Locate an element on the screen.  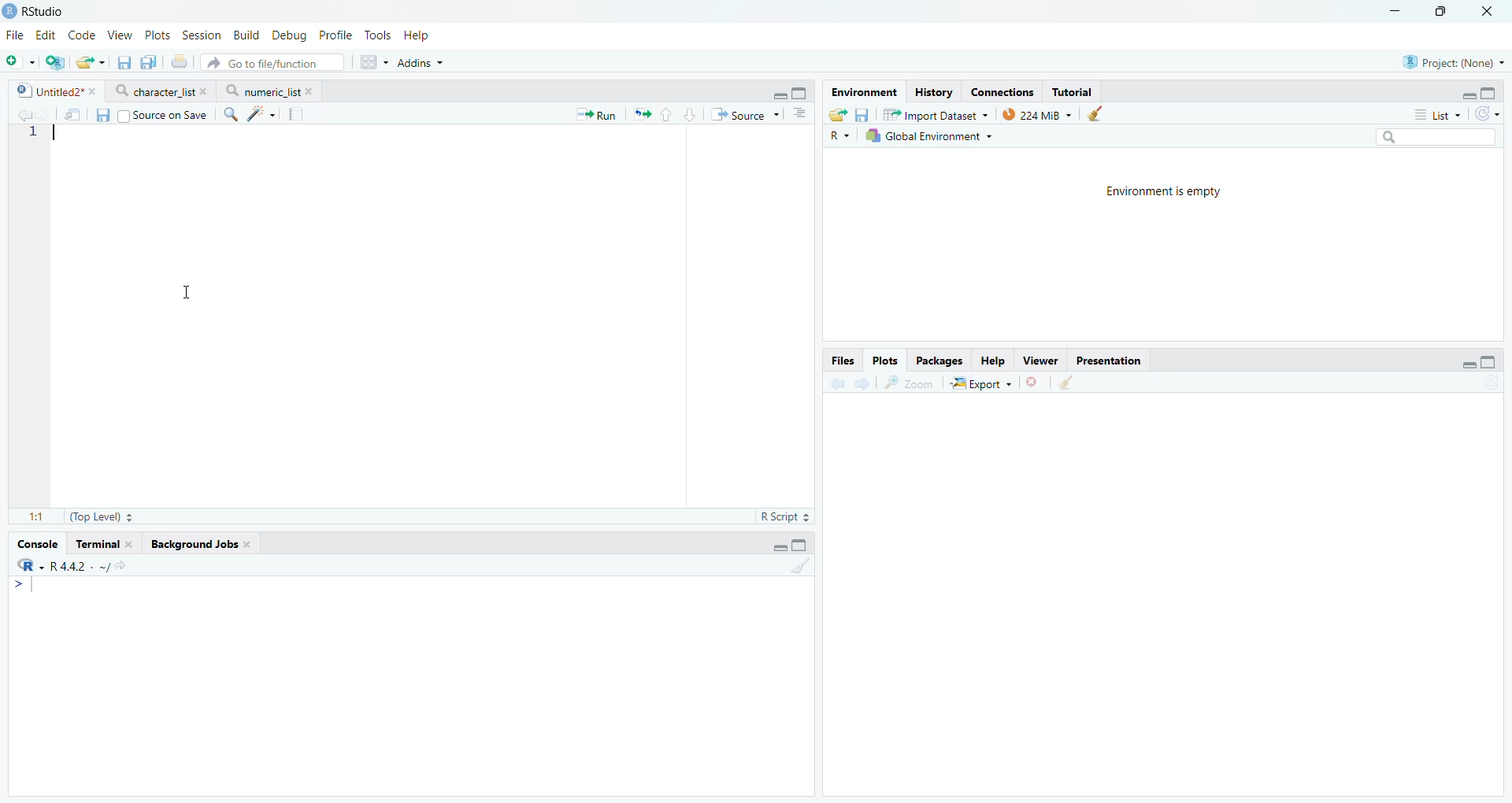
Full Height is located at coordinates (1490, 91).